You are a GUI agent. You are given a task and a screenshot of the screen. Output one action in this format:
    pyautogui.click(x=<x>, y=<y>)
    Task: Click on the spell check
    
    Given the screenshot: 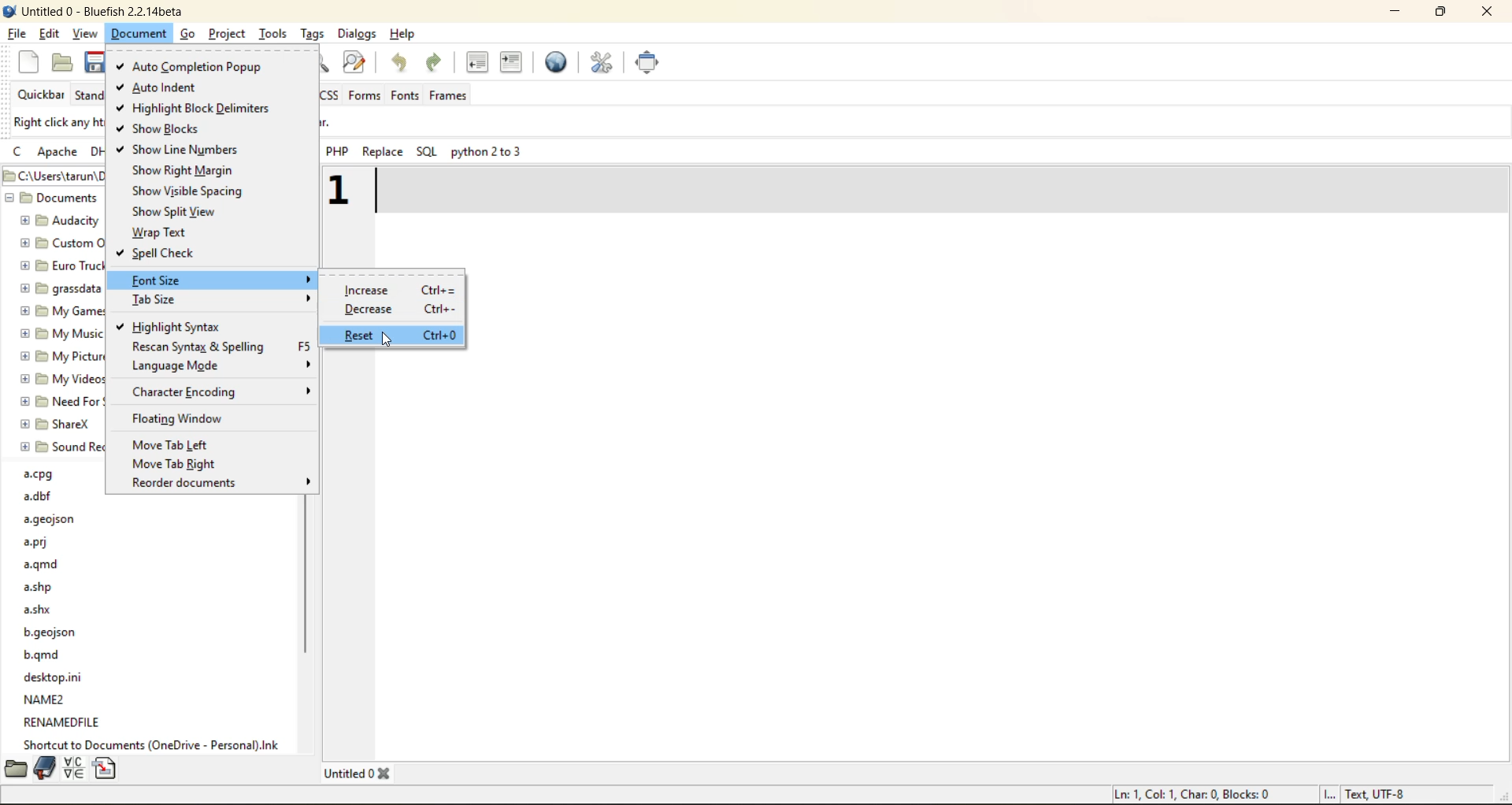 What is the action you would take?
    pyautogui.click(x=161, y=254)
    